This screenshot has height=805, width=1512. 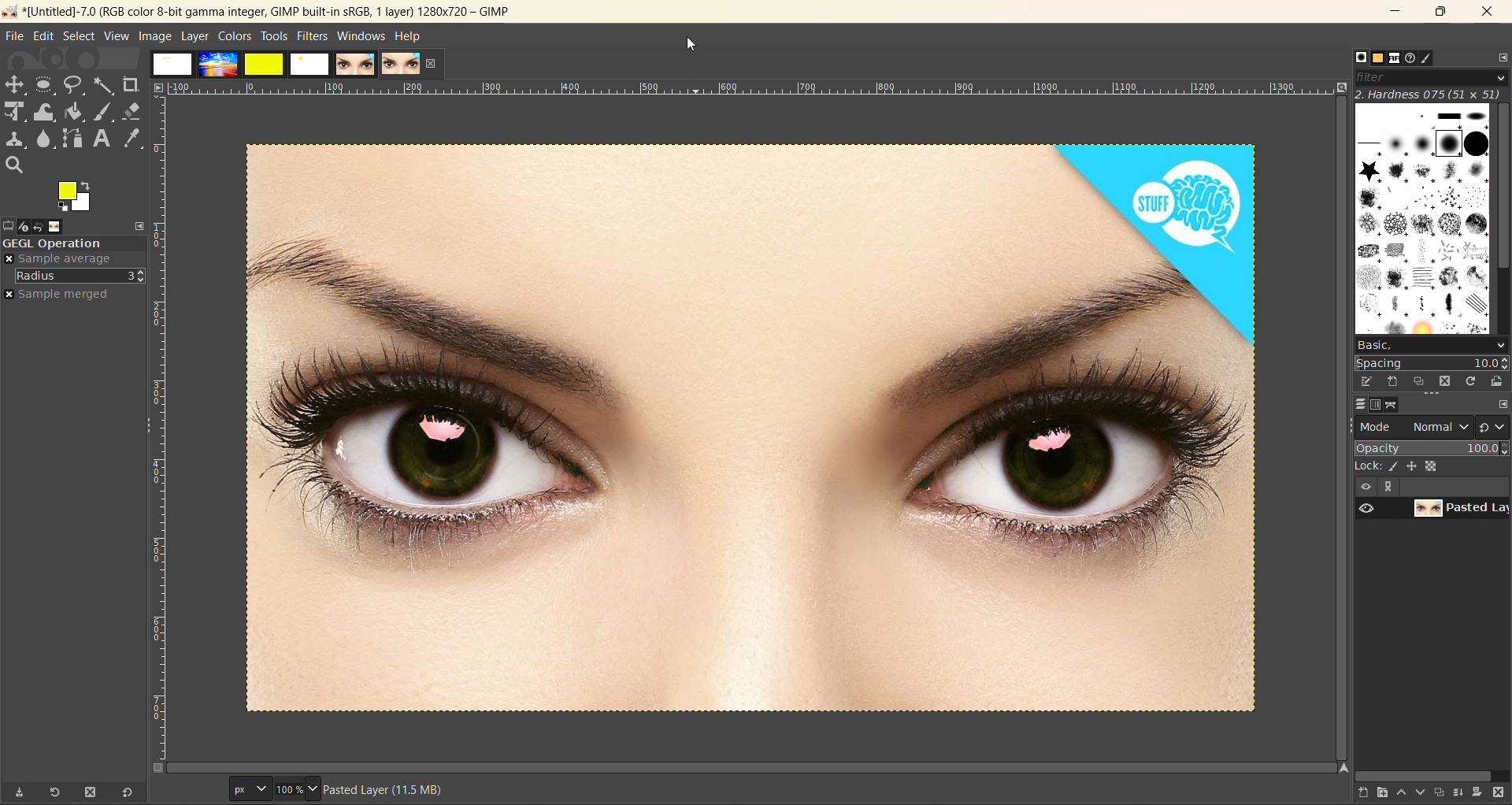 I want to click on minimize, so click(x=1392, y=13).